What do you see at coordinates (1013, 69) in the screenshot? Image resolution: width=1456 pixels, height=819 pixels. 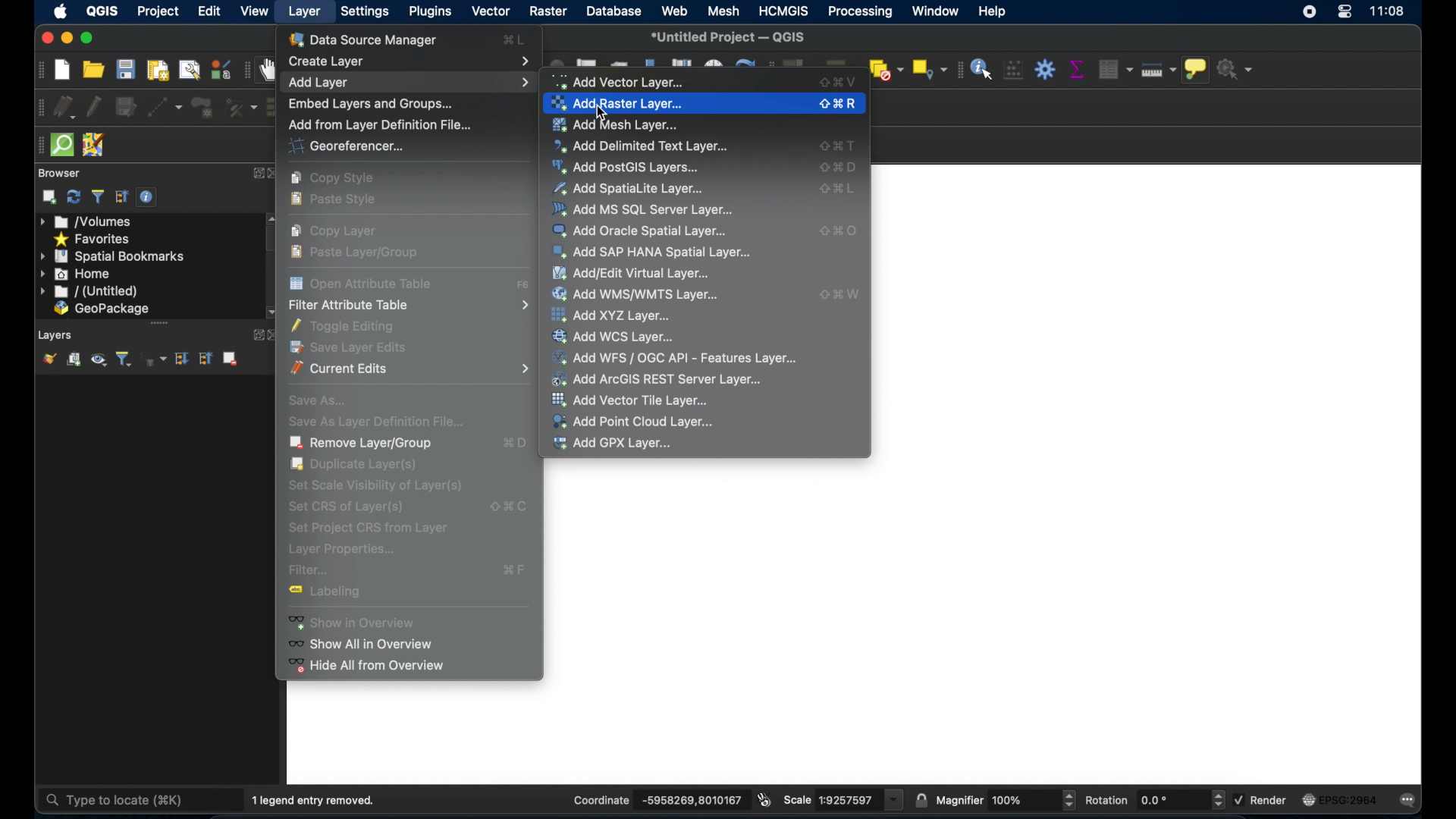 I see `open field calculator` at bounding box center [1013, 69].